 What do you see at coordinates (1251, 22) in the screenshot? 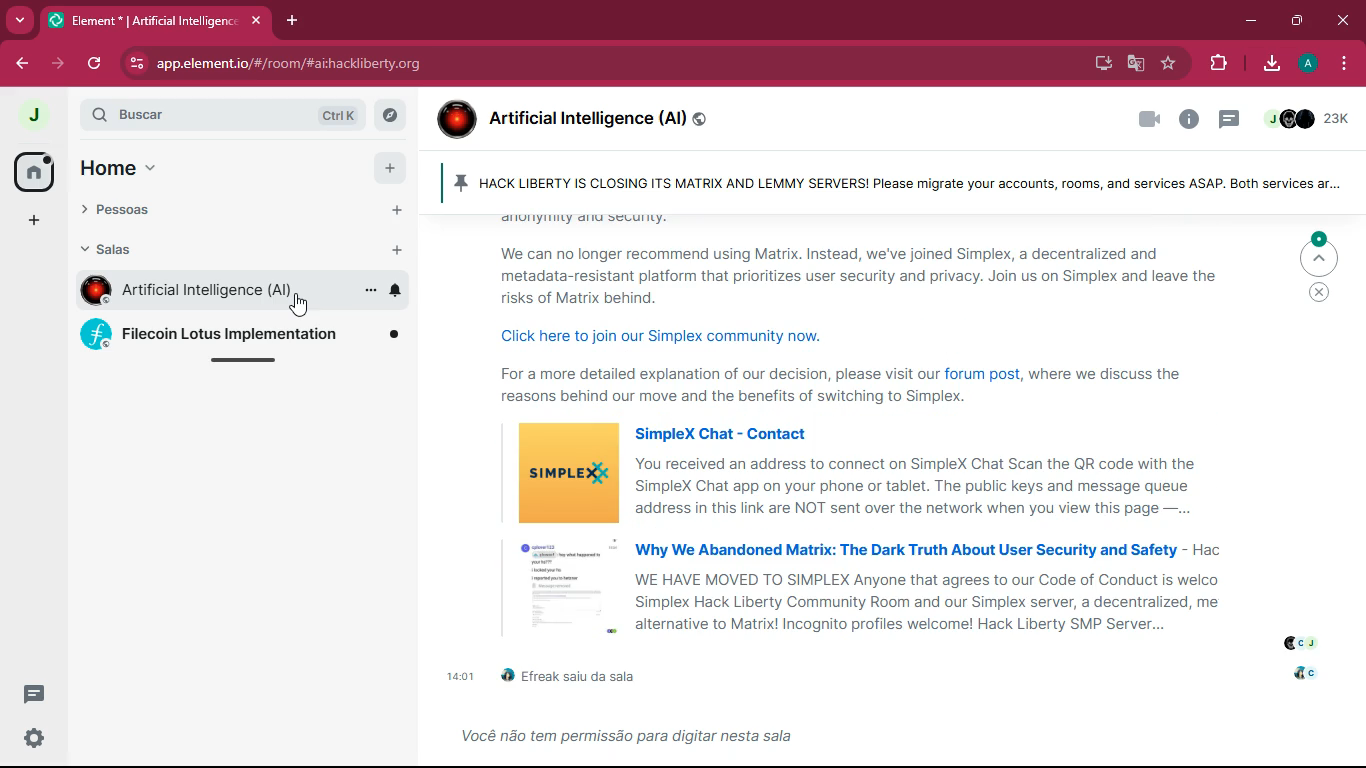
I see `minimize` at bounding box center [1251, 22].